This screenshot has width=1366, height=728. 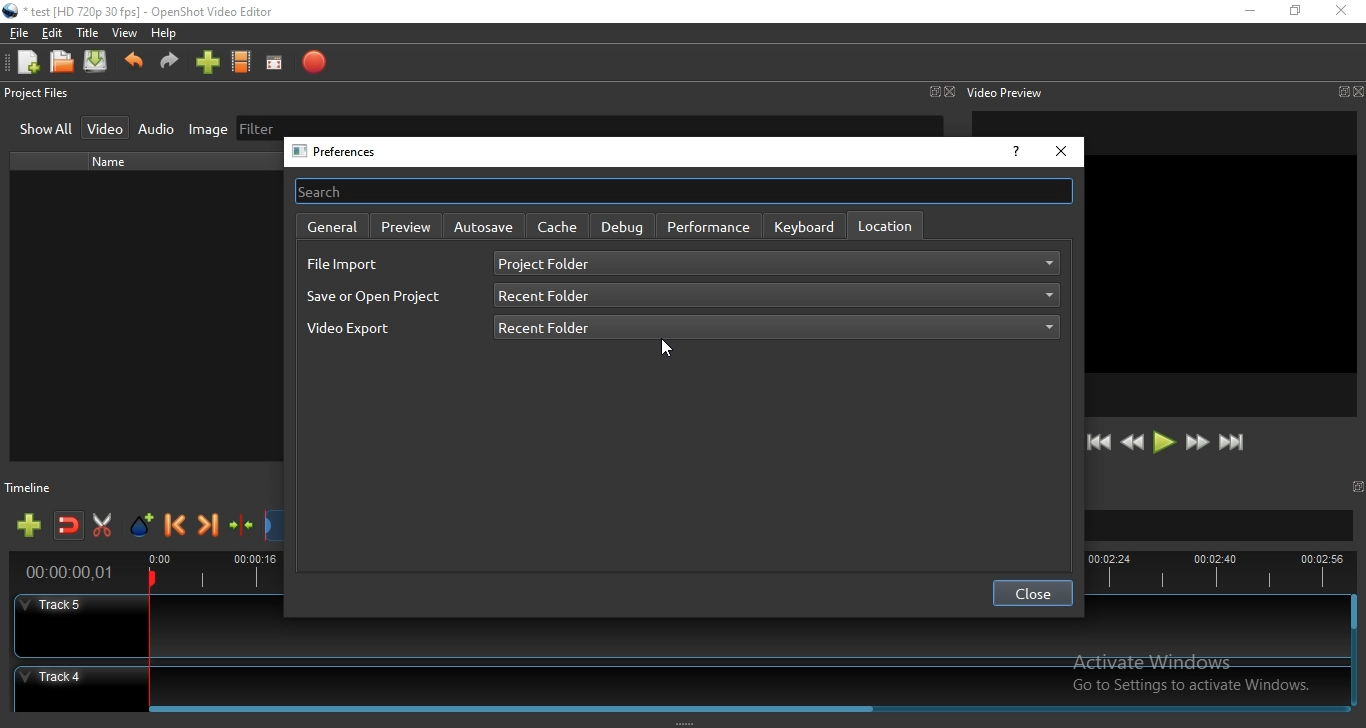 I want to click on debug, so click(x=621, y=225).